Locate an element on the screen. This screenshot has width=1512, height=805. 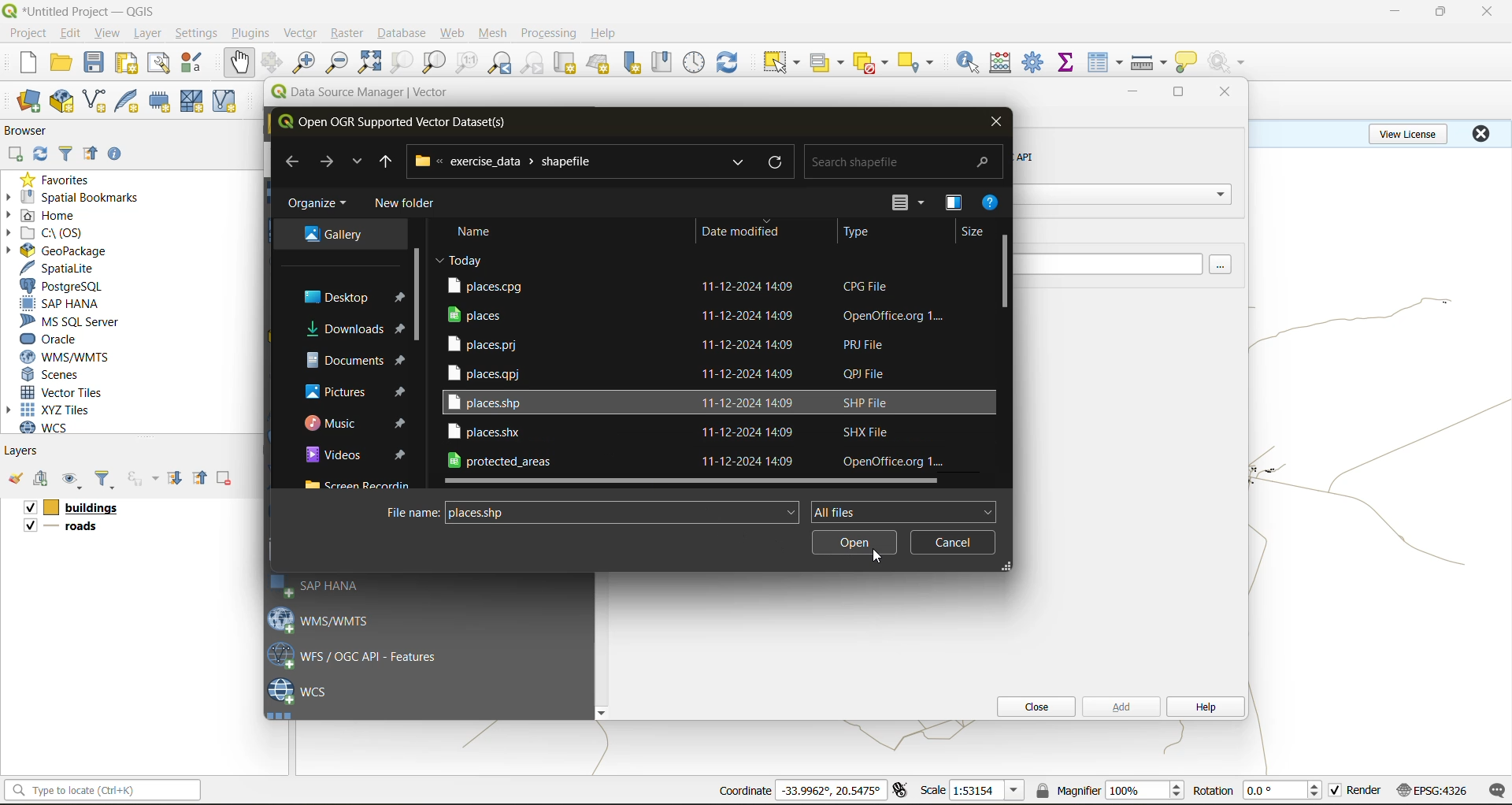
pan to selection is located at coordinates (272, 64).